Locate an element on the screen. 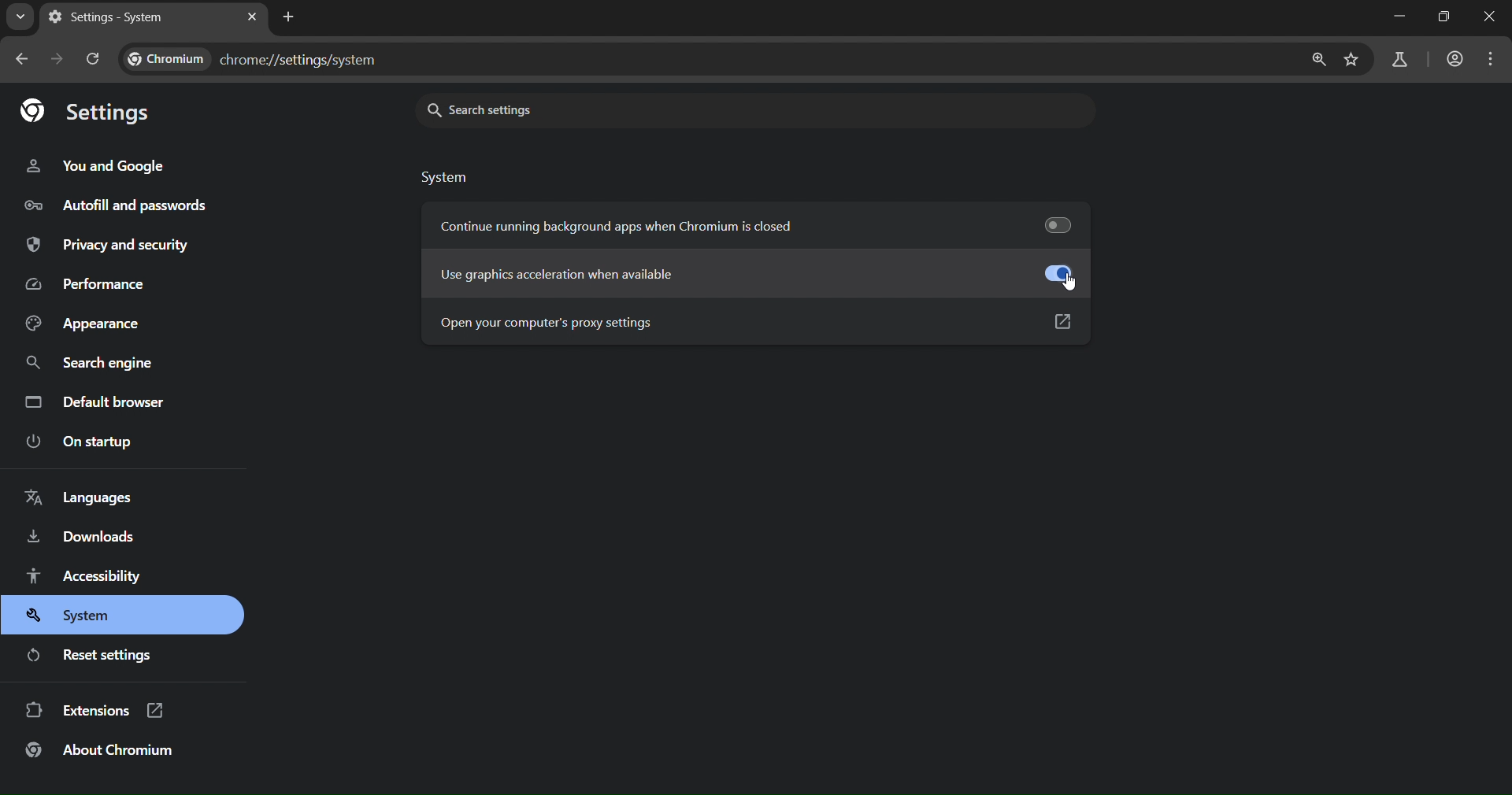 Image resolution: width=1512 pixels, height=795 pixels. system is located at coordinates (455, 176).